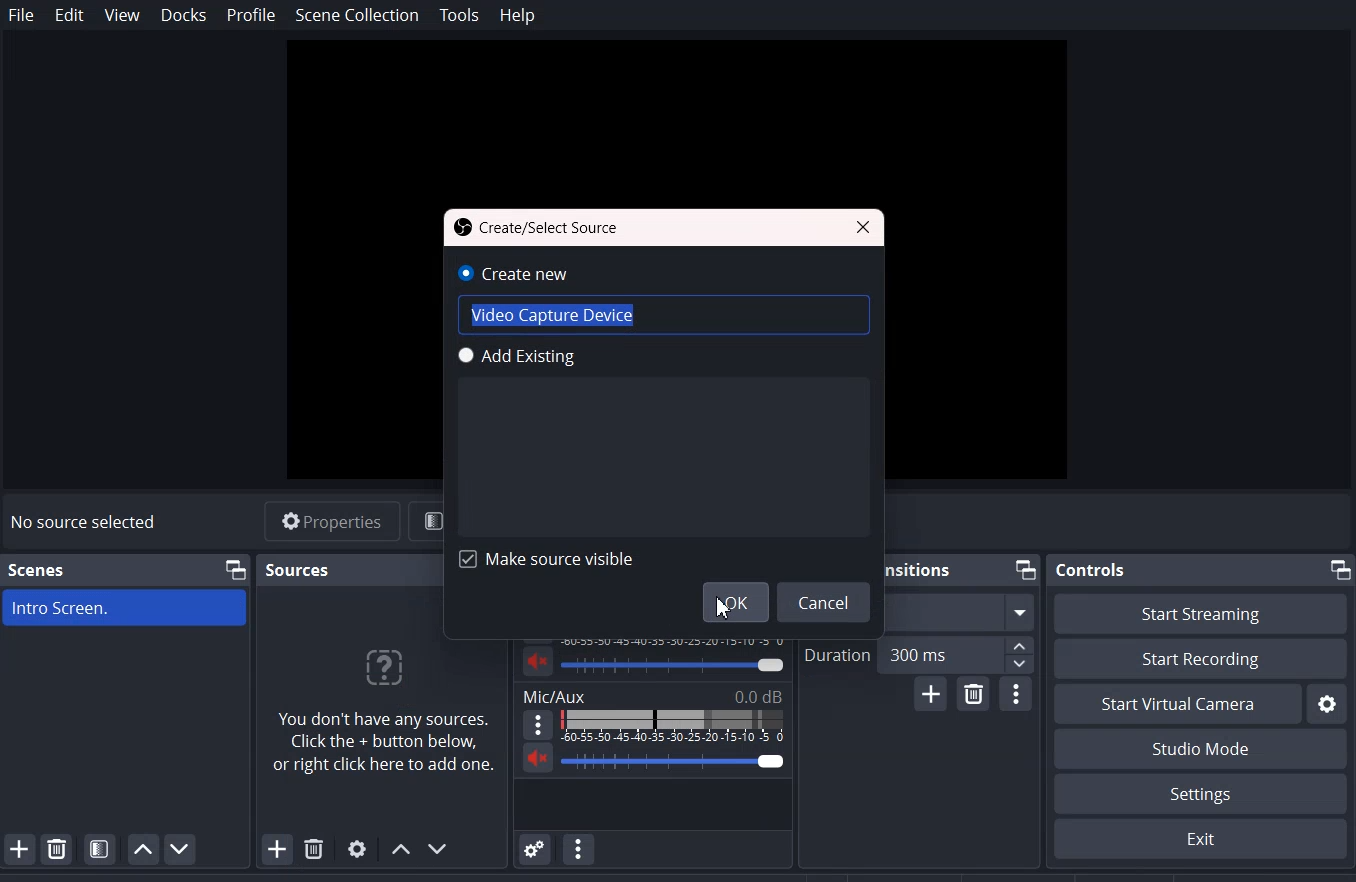  Describe the element at coordinates (918, 569) in the screenshot. I see `Scene Transition` at that location.